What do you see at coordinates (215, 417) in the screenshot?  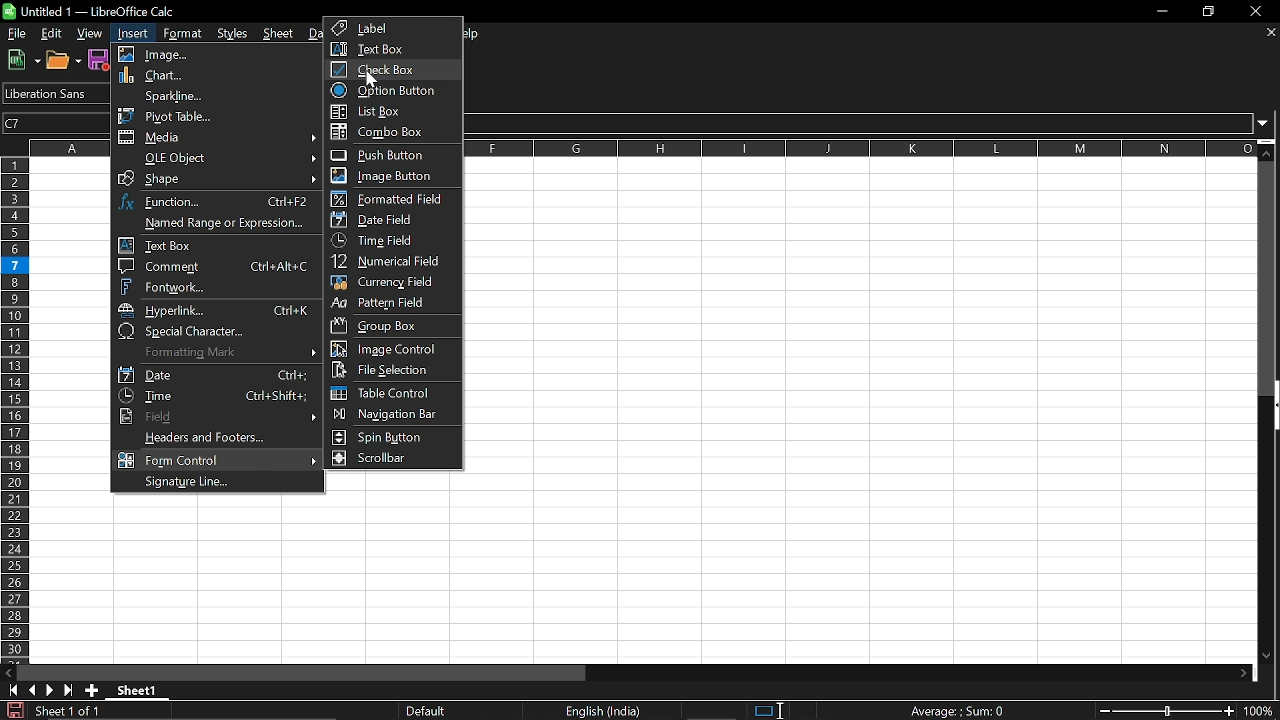 I see `Field` at bounding box center [215, 417].